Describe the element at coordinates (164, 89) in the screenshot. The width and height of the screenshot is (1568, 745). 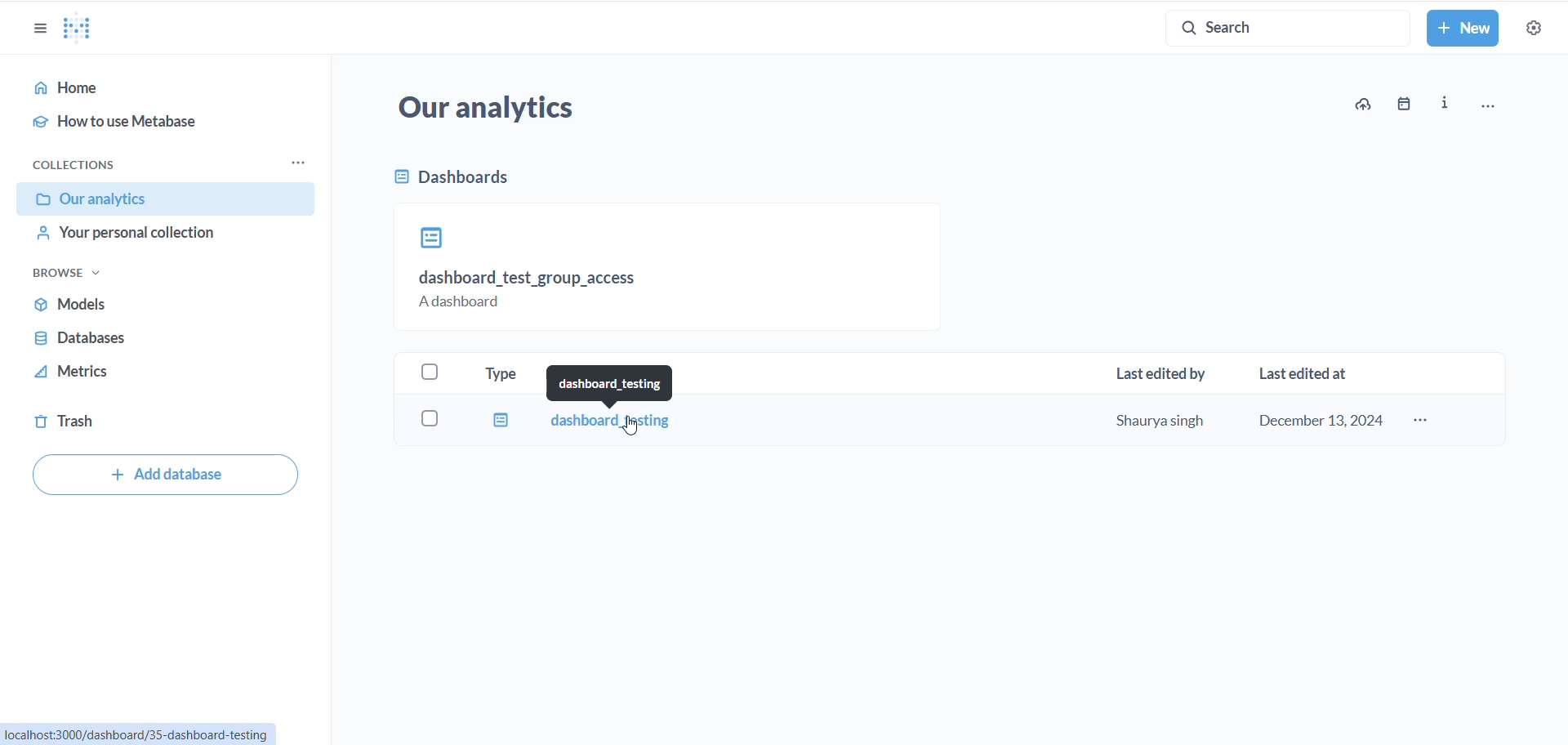
I see `home` at that location.